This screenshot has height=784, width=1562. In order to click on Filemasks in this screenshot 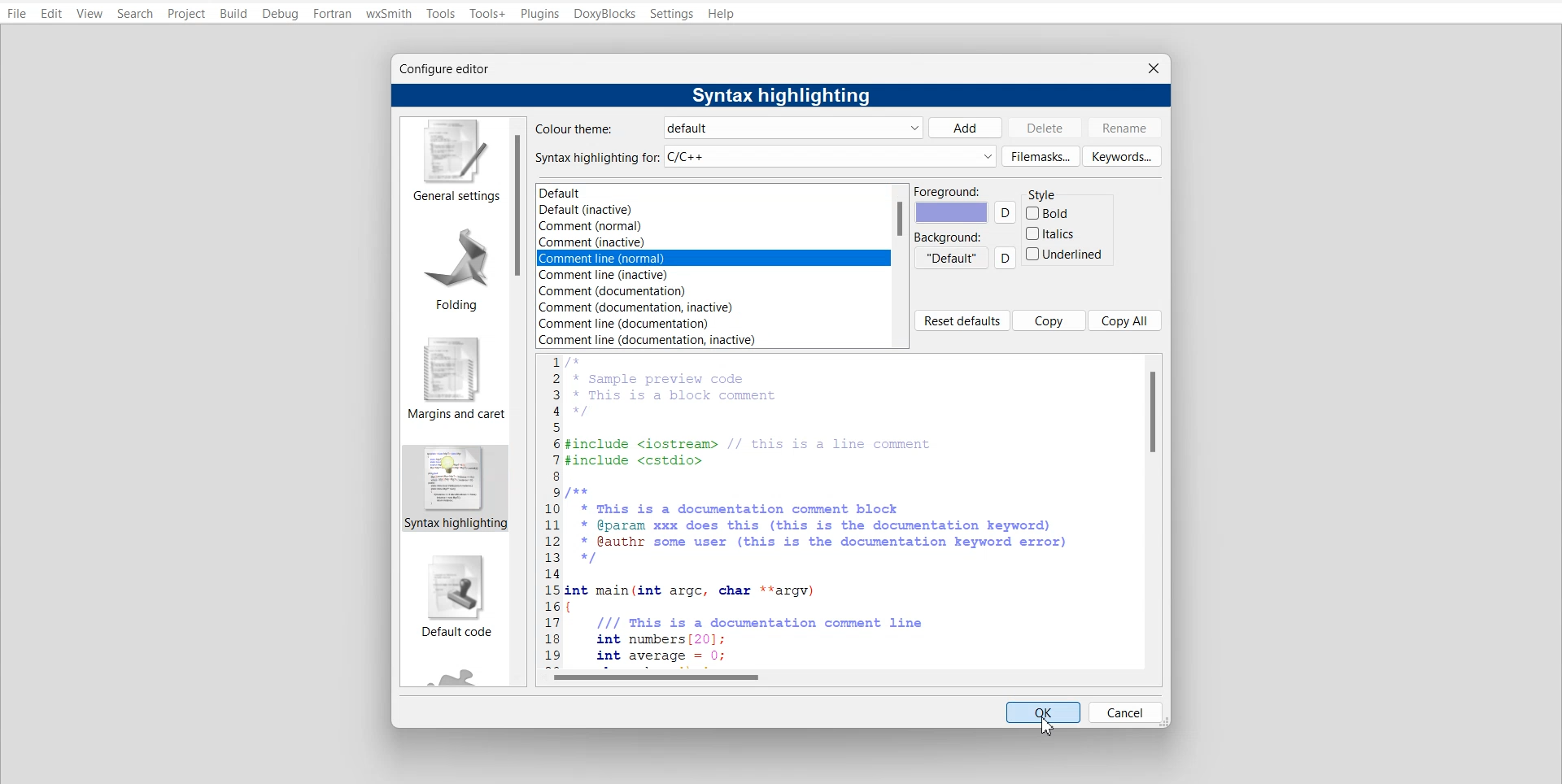, I will do `click(1040, 156)`.